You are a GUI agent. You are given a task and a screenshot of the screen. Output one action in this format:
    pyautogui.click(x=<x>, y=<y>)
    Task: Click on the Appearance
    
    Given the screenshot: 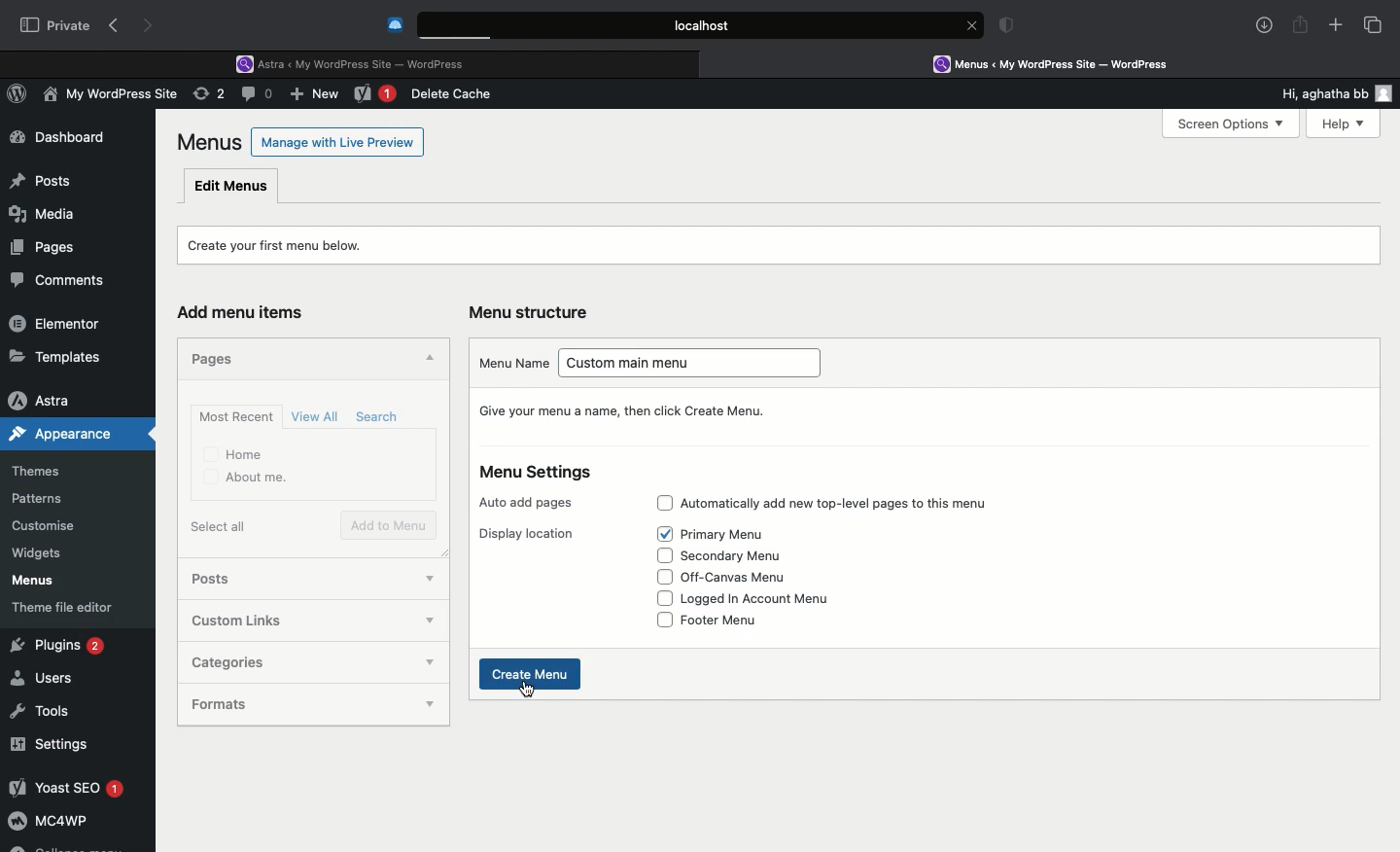 What is the action you would take?
    pyautogui.click(x=79, y=434)
    